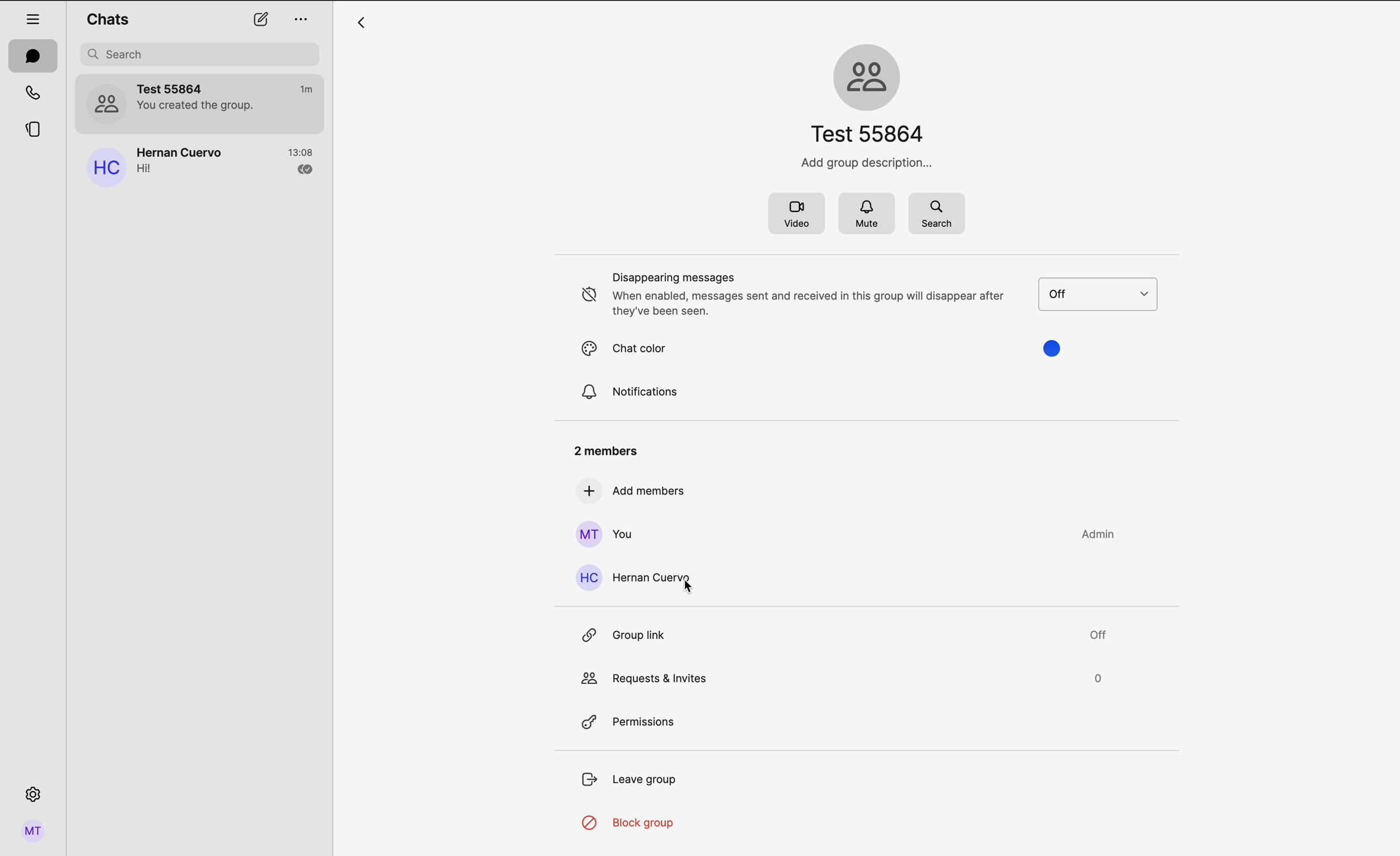 The height and width of the screenshot is (856, 1400). What do you see at coordinates (816, 346) in the screenshot?
I see `chat color` at bounding box center [816, 346].